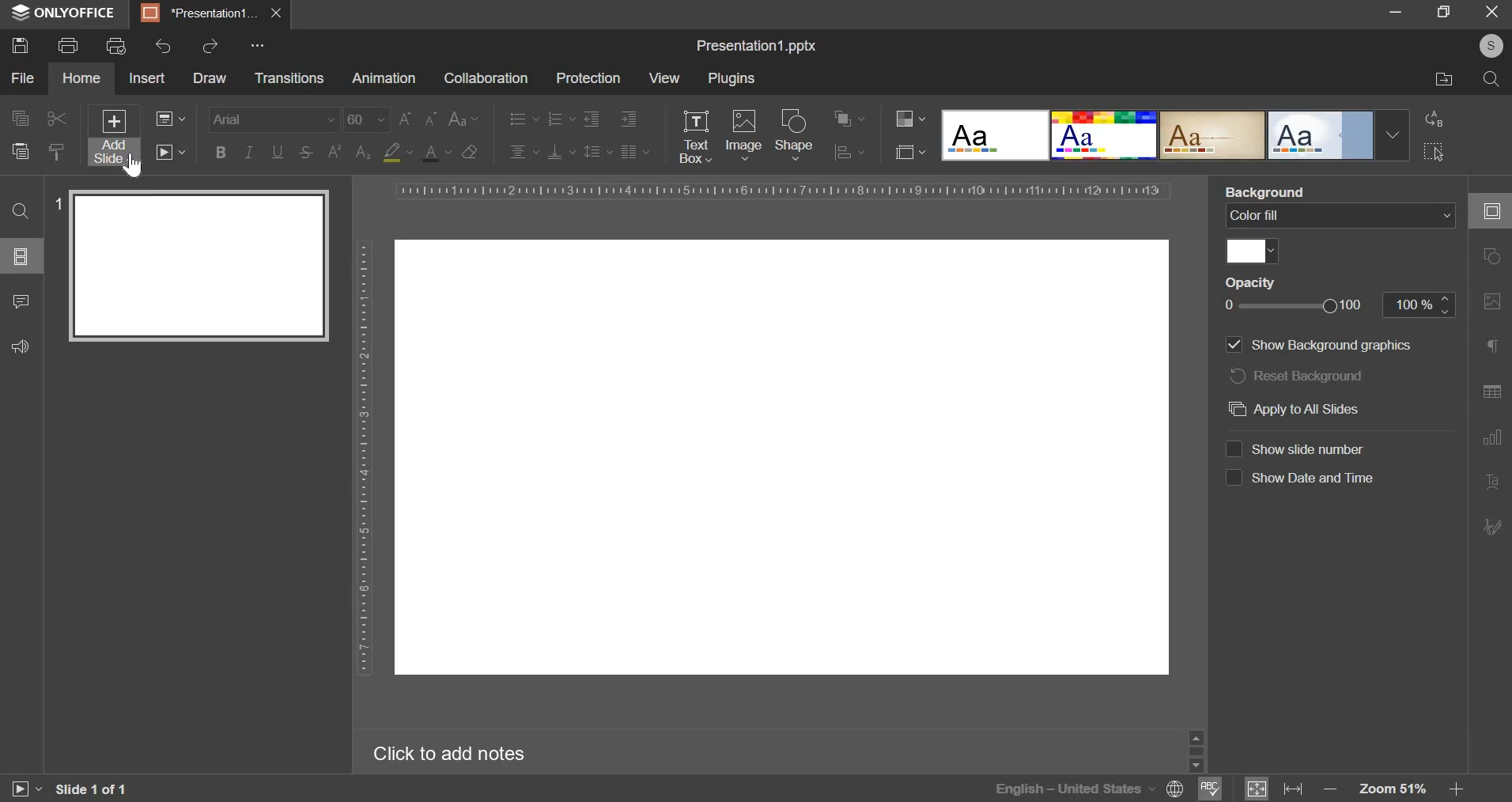 This screenshot has width=1512, height=802. I want to click on table settings, so click(1491, 392).